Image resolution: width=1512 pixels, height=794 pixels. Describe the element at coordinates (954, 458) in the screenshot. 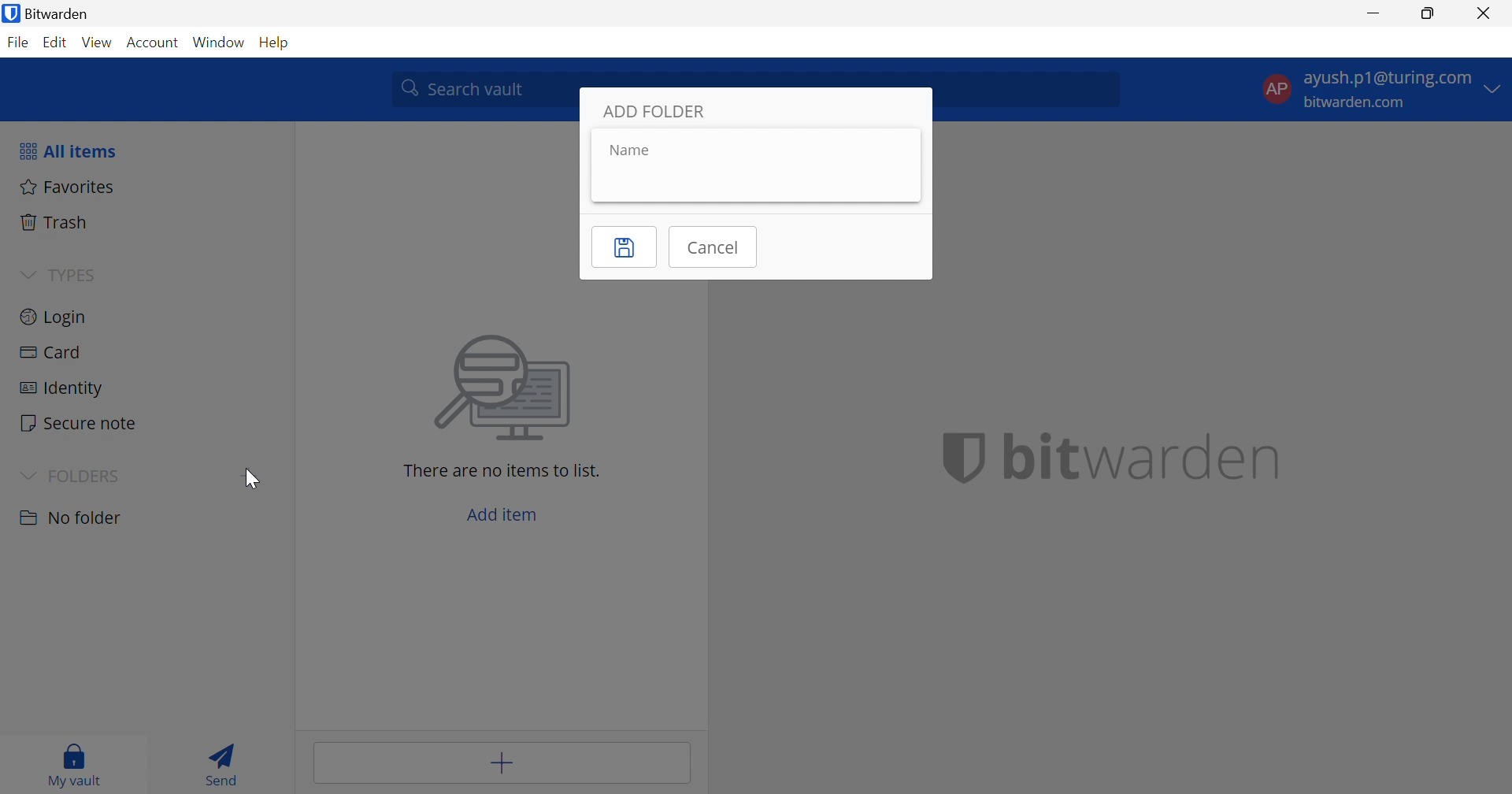

I see `bitwarden logo` at that location.